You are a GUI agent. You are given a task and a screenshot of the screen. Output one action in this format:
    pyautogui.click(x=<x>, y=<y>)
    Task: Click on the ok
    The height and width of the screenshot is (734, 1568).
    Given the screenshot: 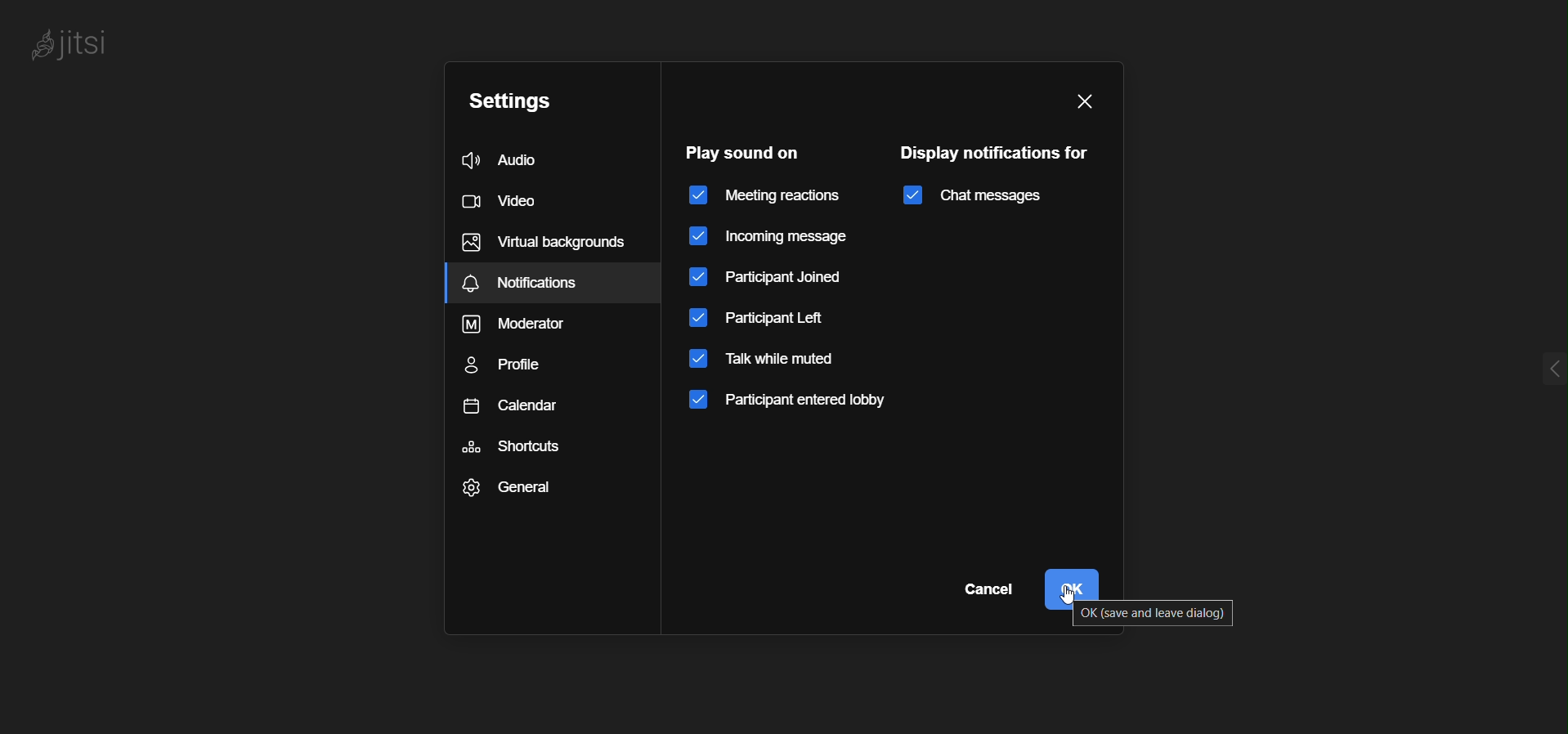 What is the action you would take?
    pyautogui.click(x=1076, y=580)
    